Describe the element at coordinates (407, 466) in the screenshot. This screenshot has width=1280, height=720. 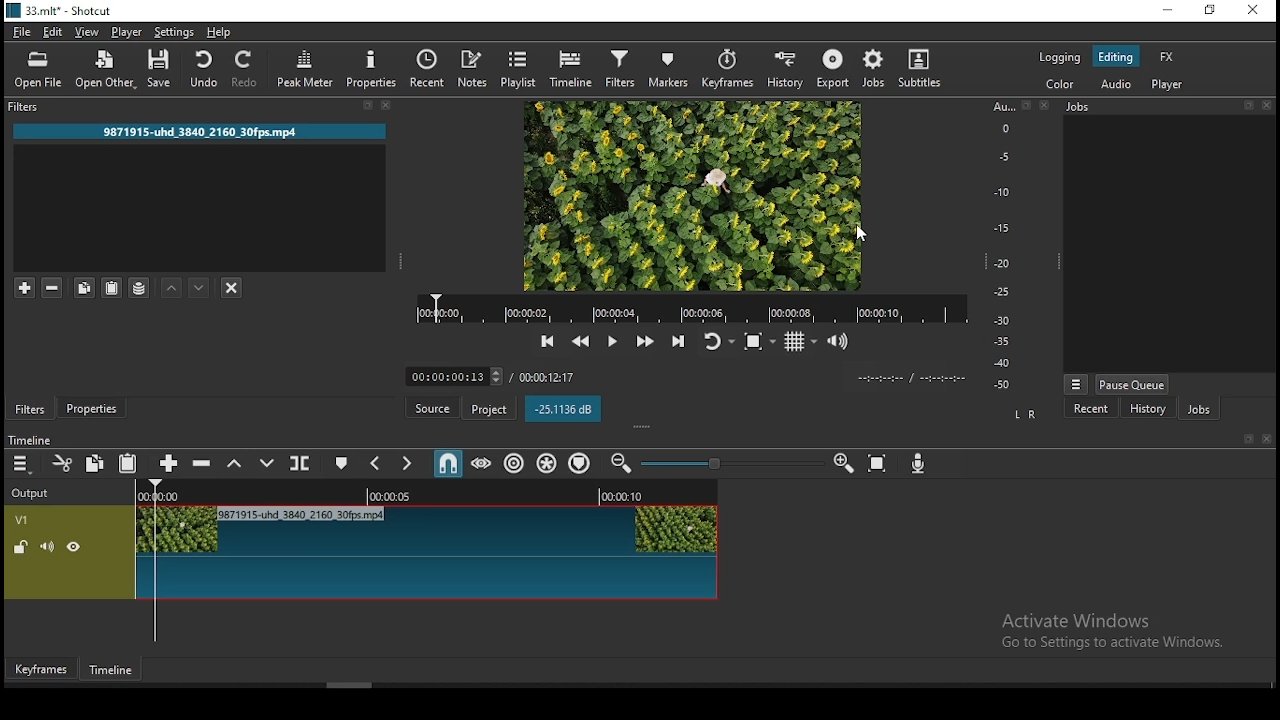
I see `next marker` at that location.